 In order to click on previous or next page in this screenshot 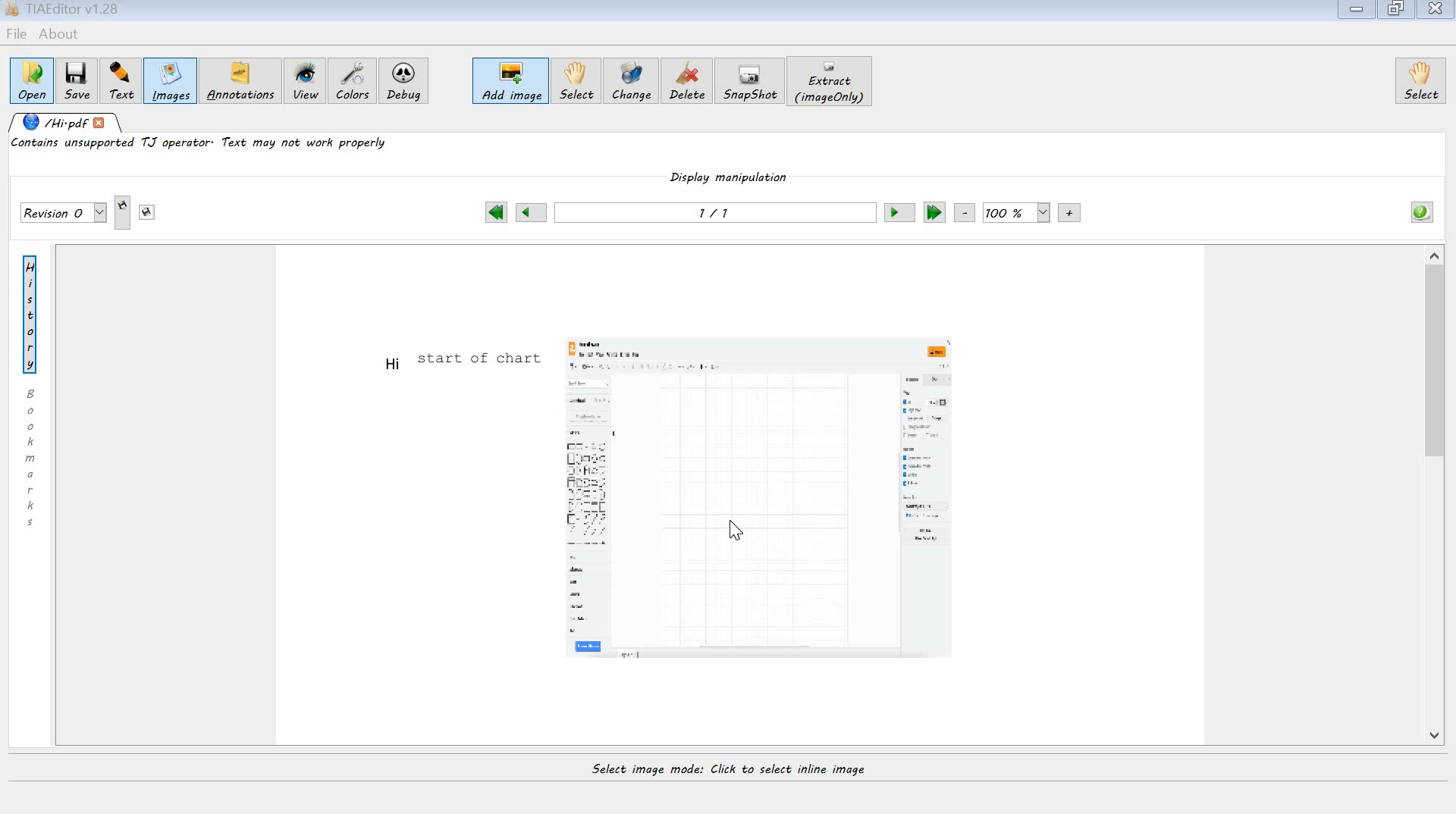, I will do `click(714, 216)`.